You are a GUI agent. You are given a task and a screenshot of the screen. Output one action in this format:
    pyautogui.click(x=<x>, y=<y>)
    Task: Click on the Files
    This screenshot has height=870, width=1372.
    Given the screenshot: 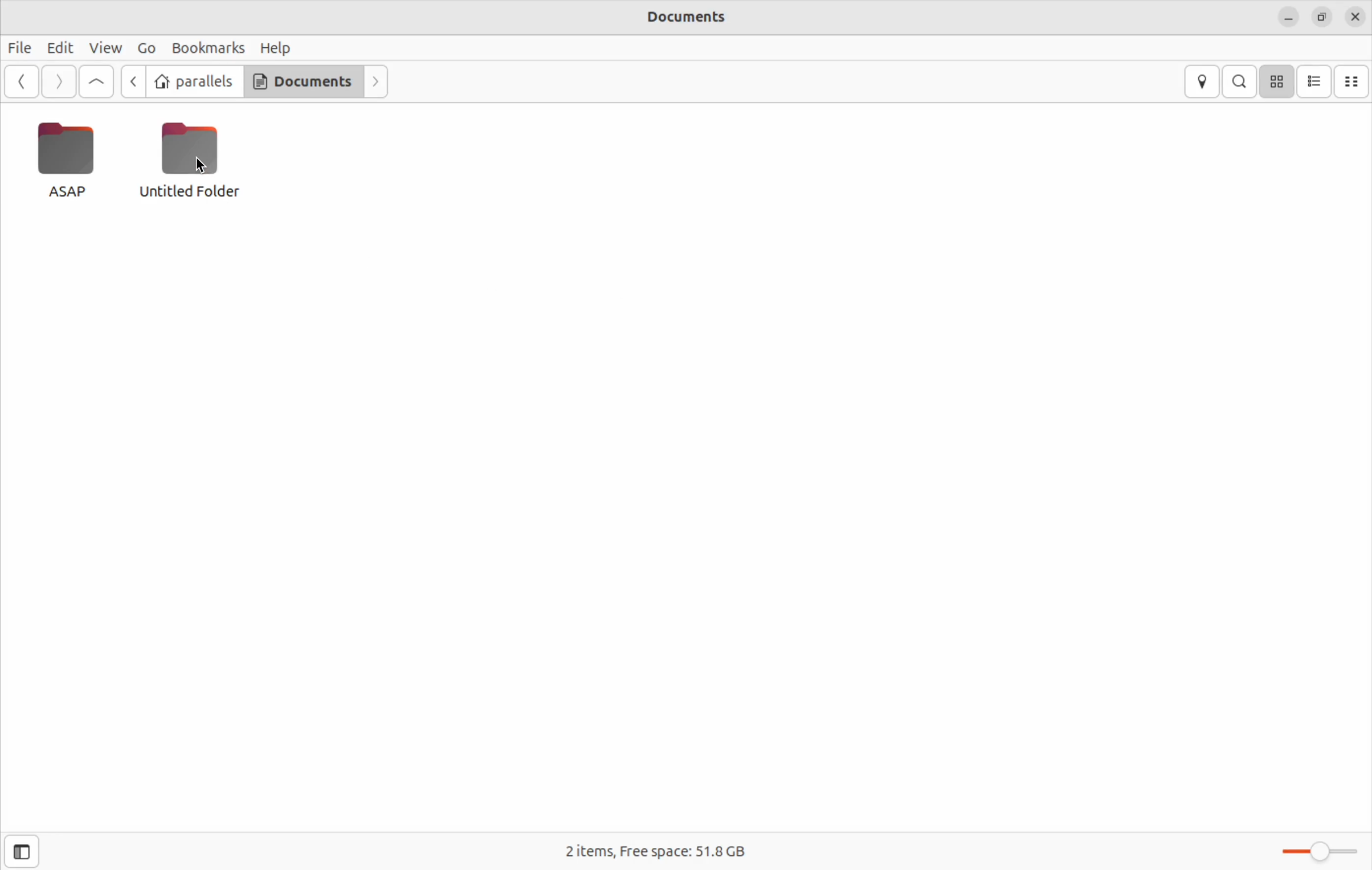 What is the action you would take?
    pyautogui.click(x=22, y=45)
    